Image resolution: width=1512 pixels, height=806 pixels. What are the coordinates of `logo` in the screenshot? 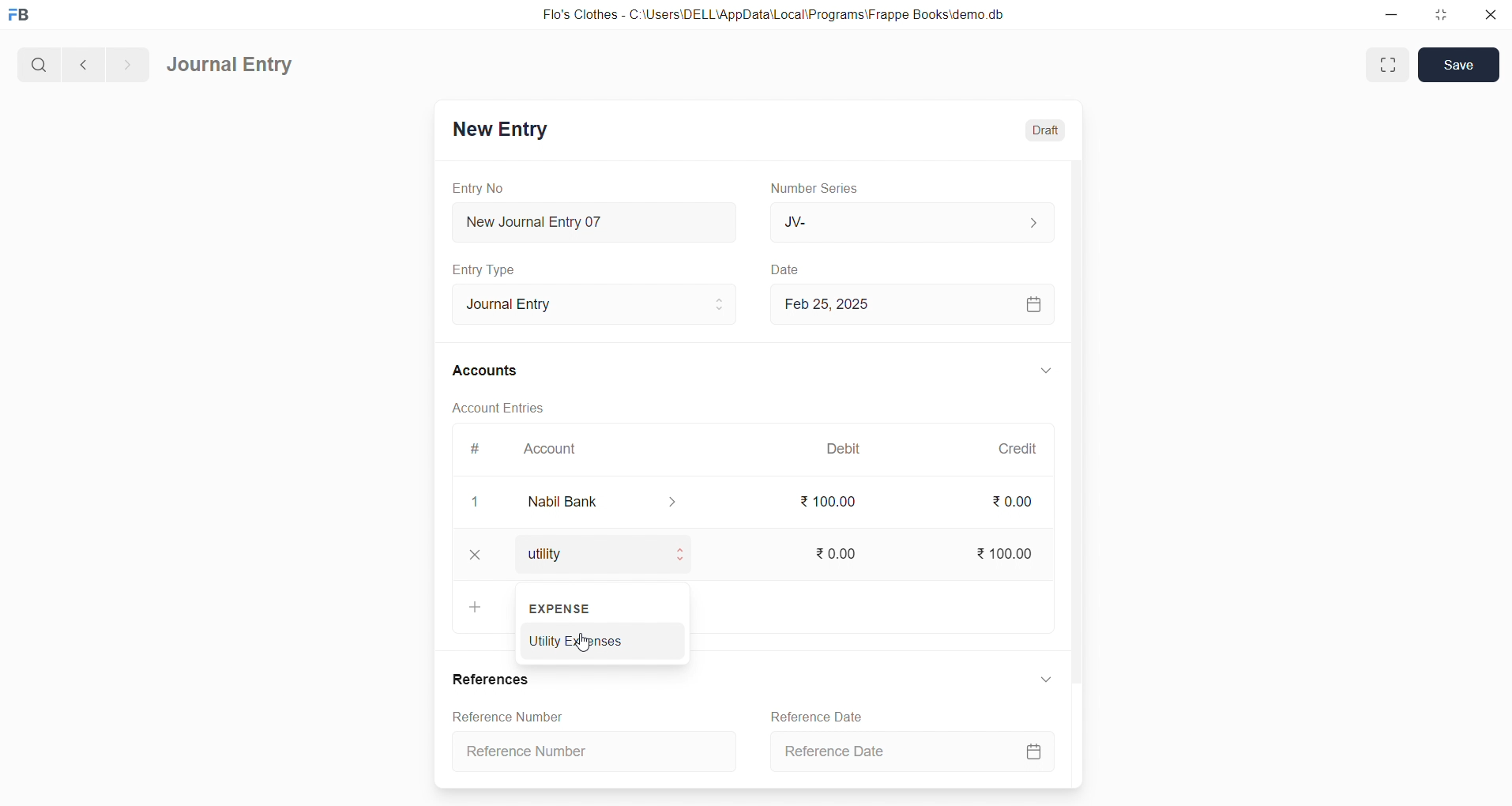 It's located at (23, 16).